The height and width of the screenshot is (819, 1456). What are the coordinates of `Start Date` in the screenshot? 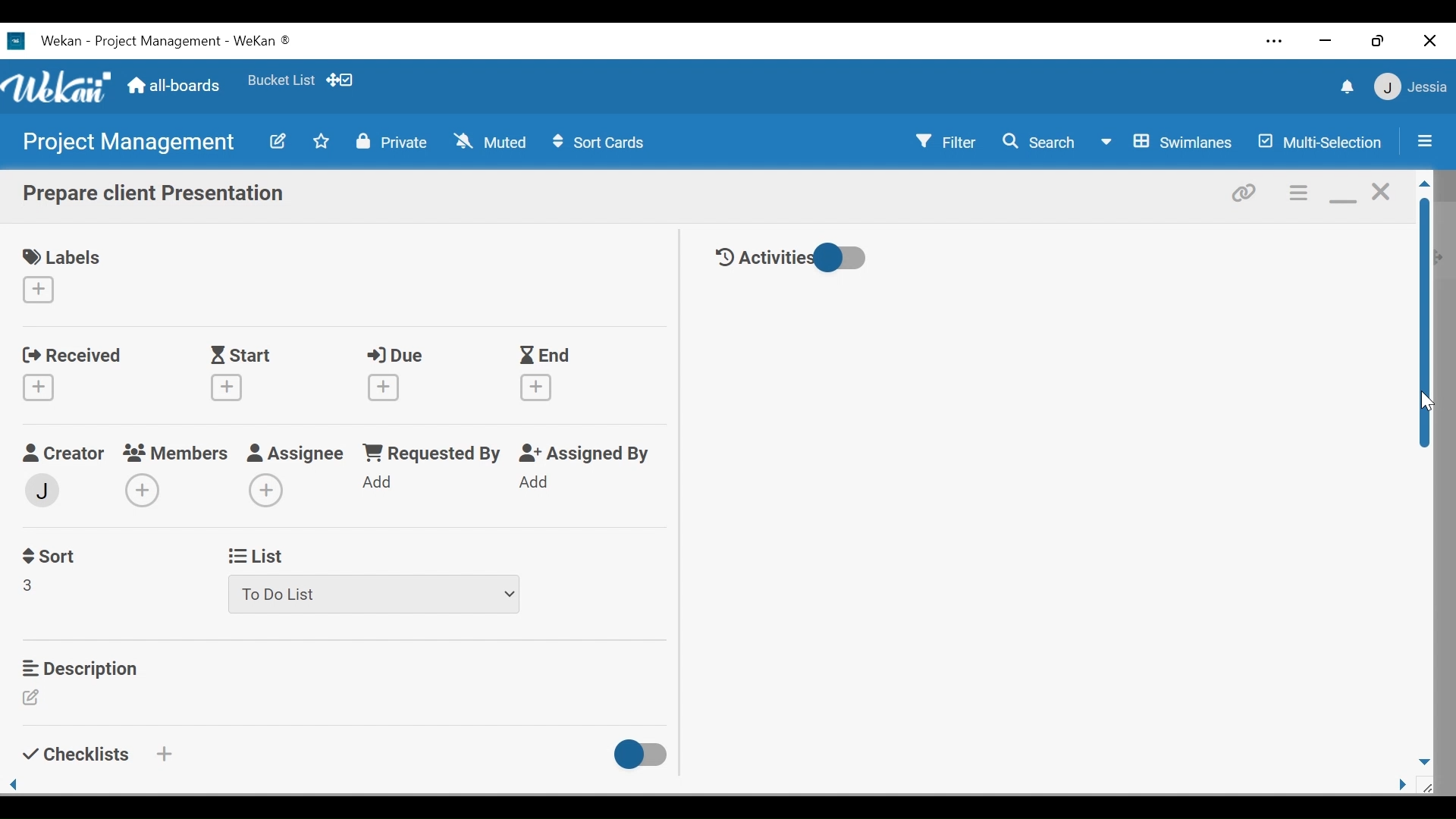 It's located at (247, 356).